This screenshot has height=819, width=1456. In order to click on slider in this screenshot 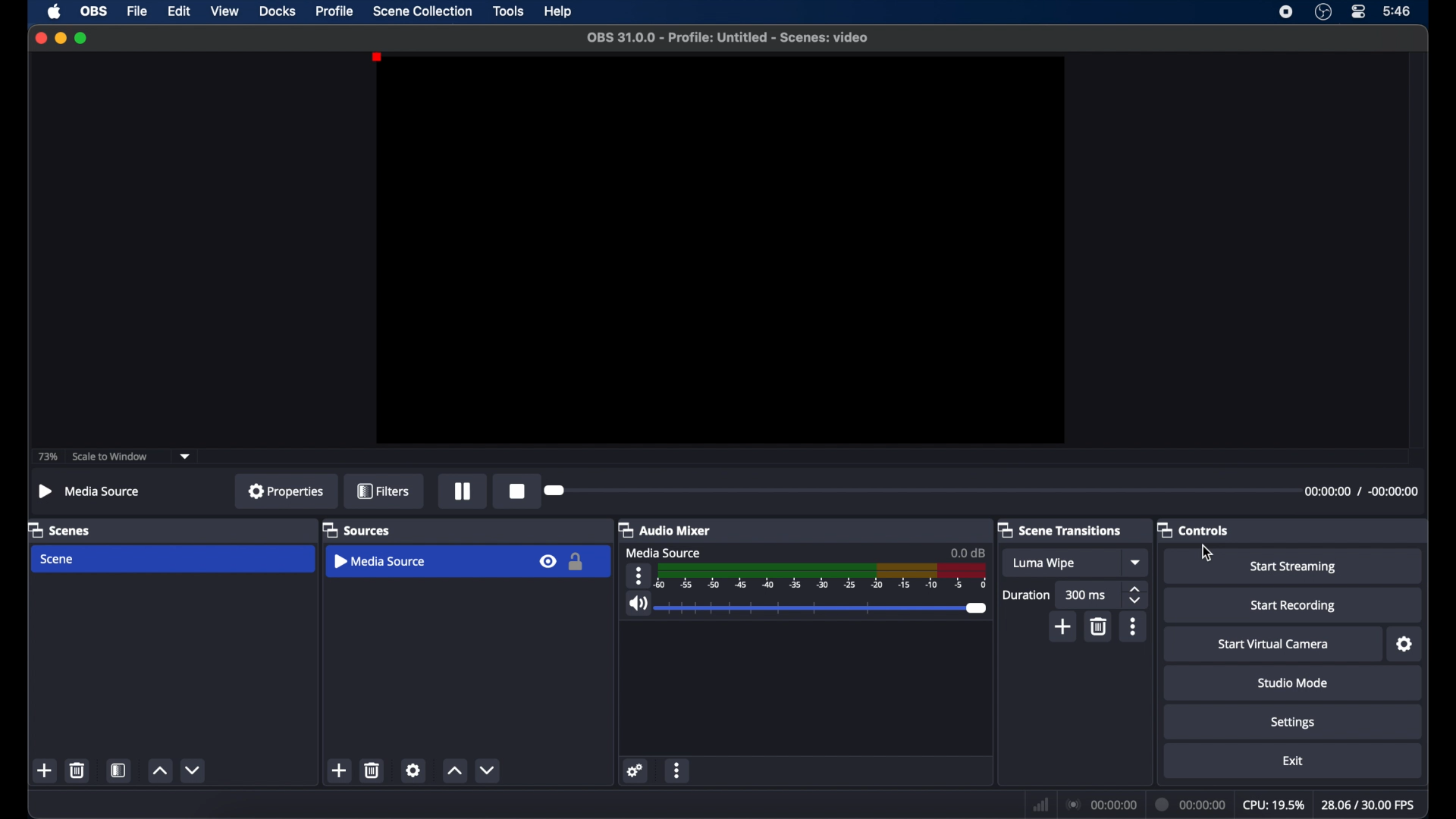, I will do `click(557, 491)`.